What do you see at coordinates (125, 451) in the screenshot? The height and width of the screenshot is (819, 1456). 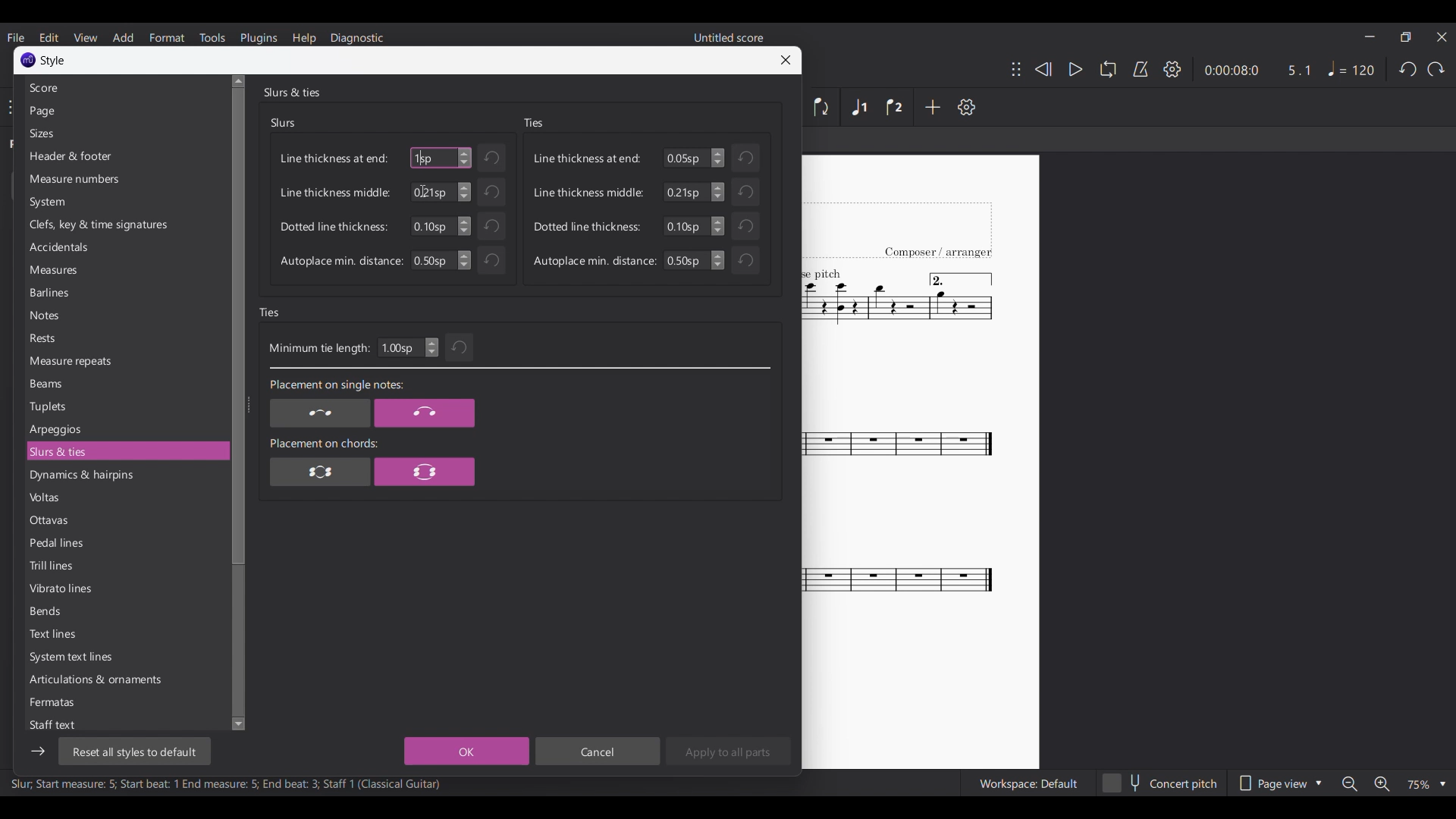 I see `Slurs & ties, current selection highlighted` at bounding box center [125, 451].